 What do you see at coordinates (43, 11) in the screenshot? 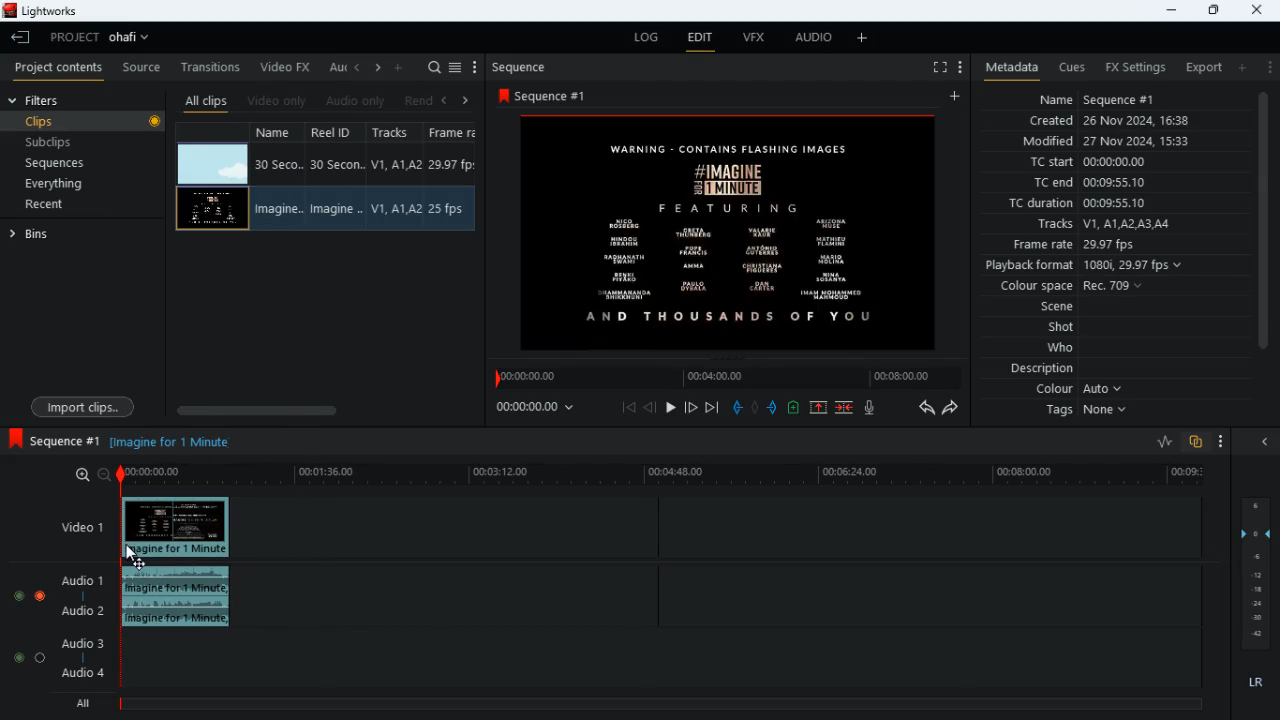
I see `lightworks` at bounding box center [43, 11].